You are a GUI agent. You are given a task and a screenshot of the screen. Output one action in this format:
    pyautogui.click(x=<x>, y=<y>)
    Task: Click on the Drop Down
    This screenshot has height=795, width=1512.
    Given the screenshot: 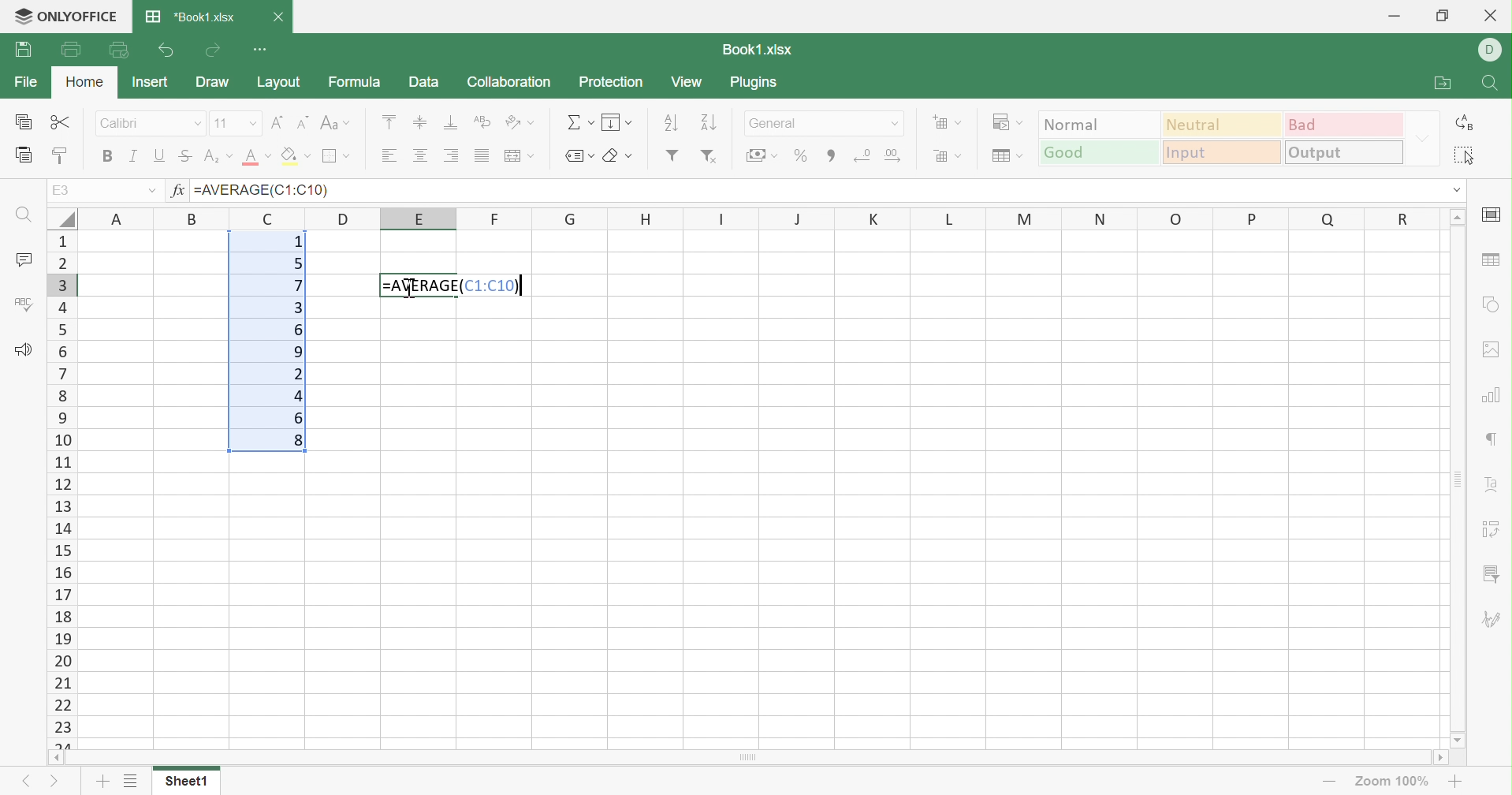 What is the action you would take?
    pyautogui.click(x=151, y=192)
    